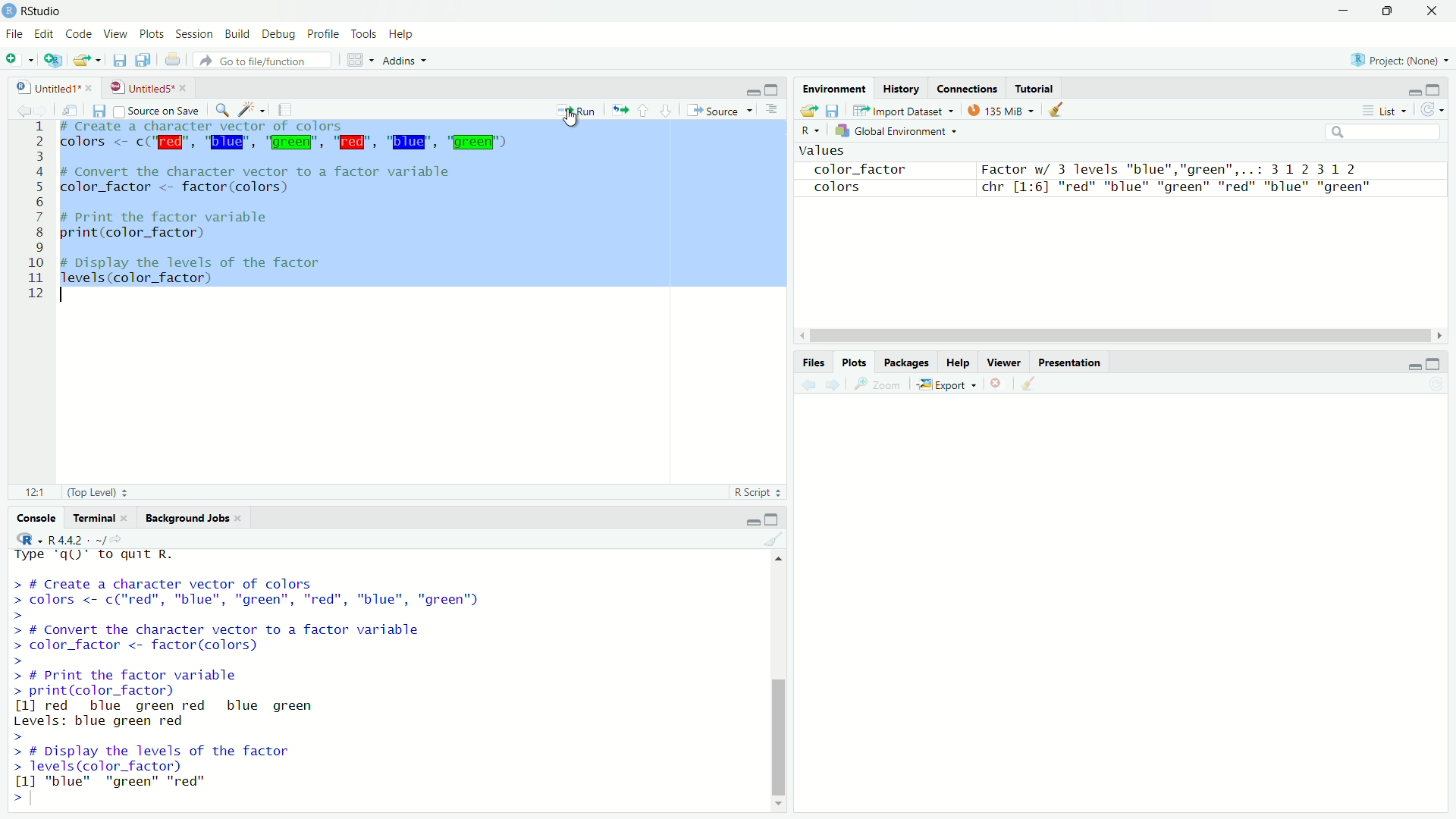 This screenshot has height=819, width=1456. I want to click on # Print the factor variable
print(color_factor), so click(189, 224).